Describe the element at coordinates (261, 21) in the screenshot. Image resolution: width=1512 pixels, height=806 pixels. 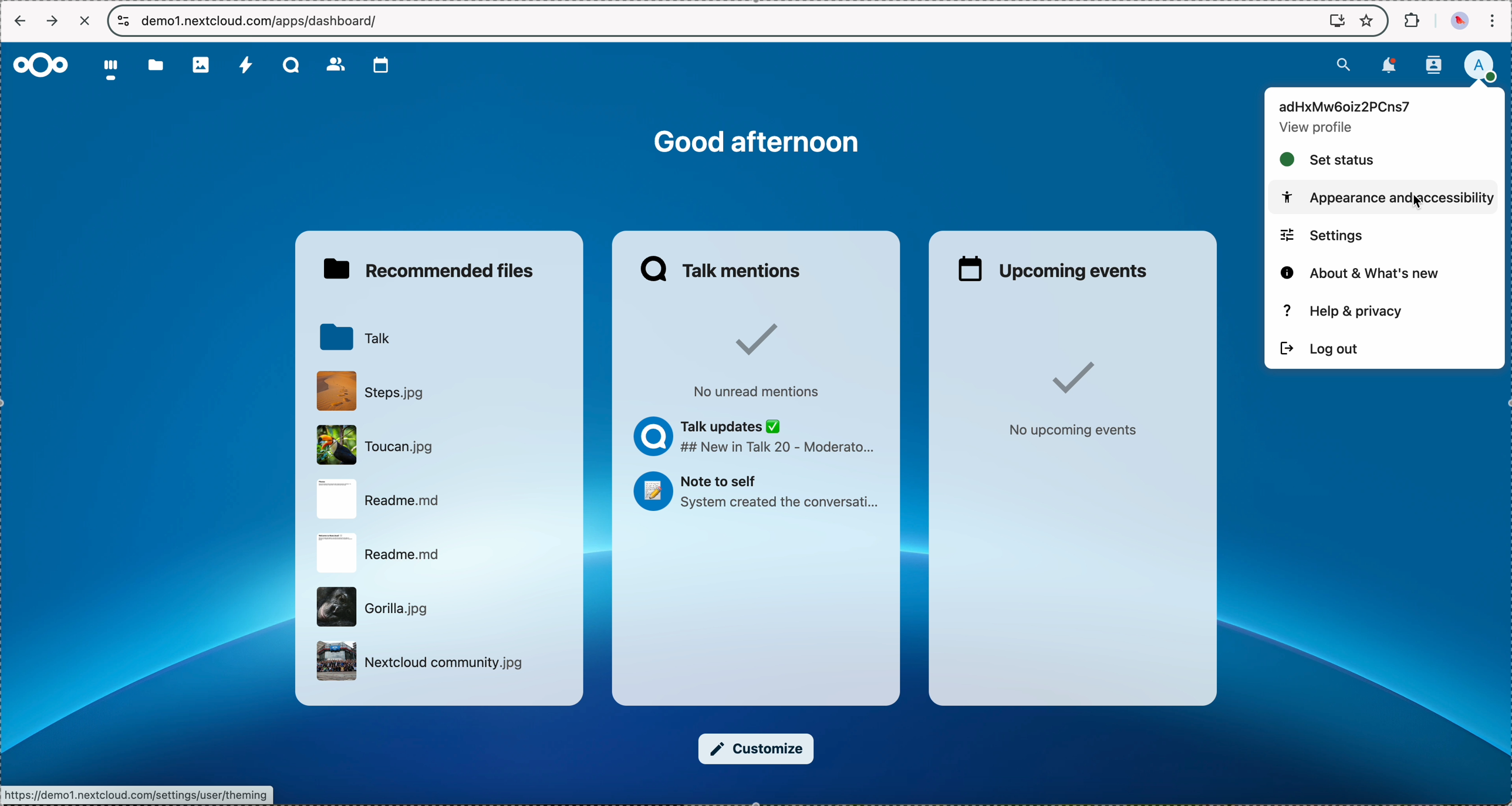
I see `URL` at that location.